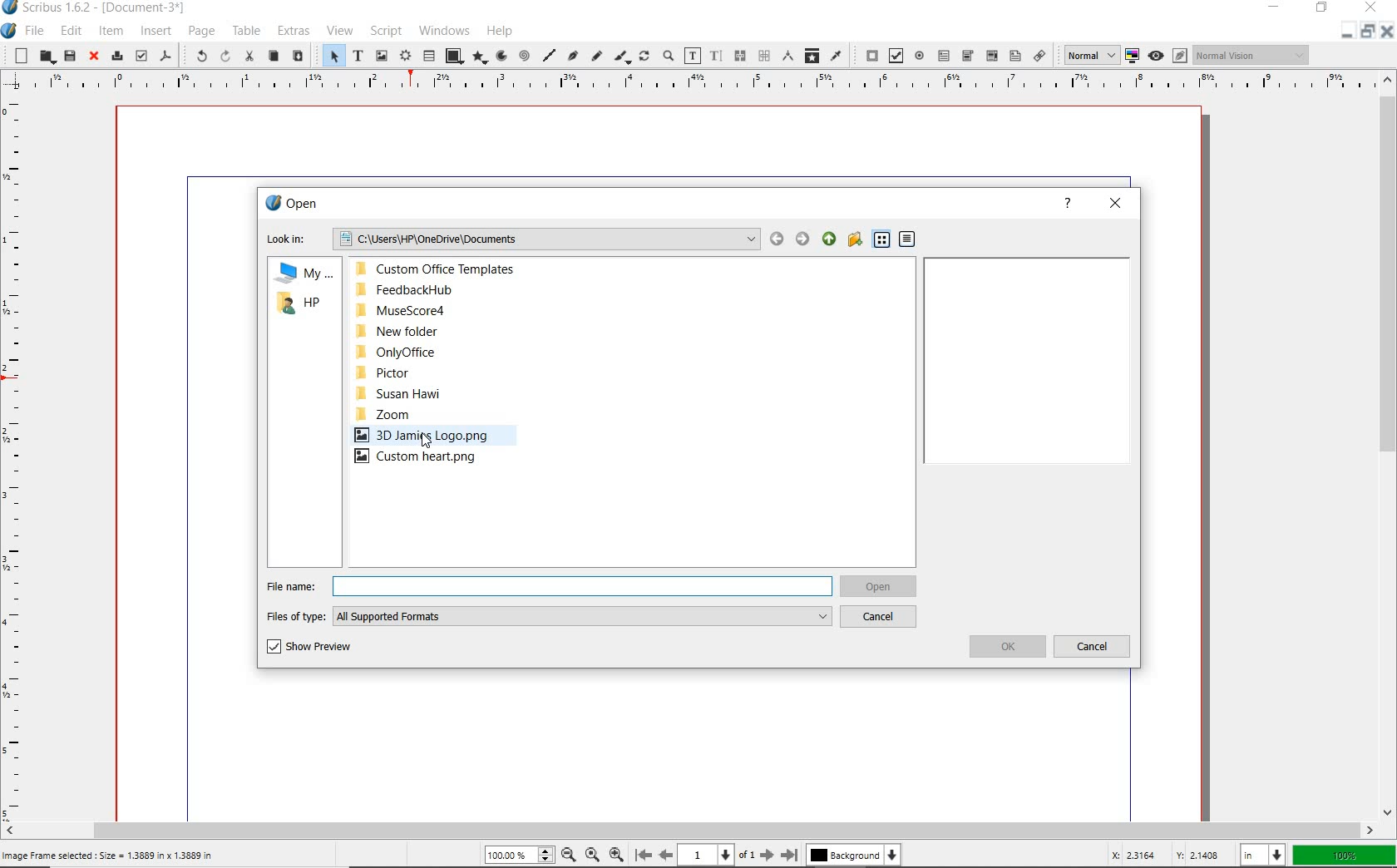 Image resolution: width=1397 pixels, height=868 pixels. I want to click on TABLE, so click(247, 30).